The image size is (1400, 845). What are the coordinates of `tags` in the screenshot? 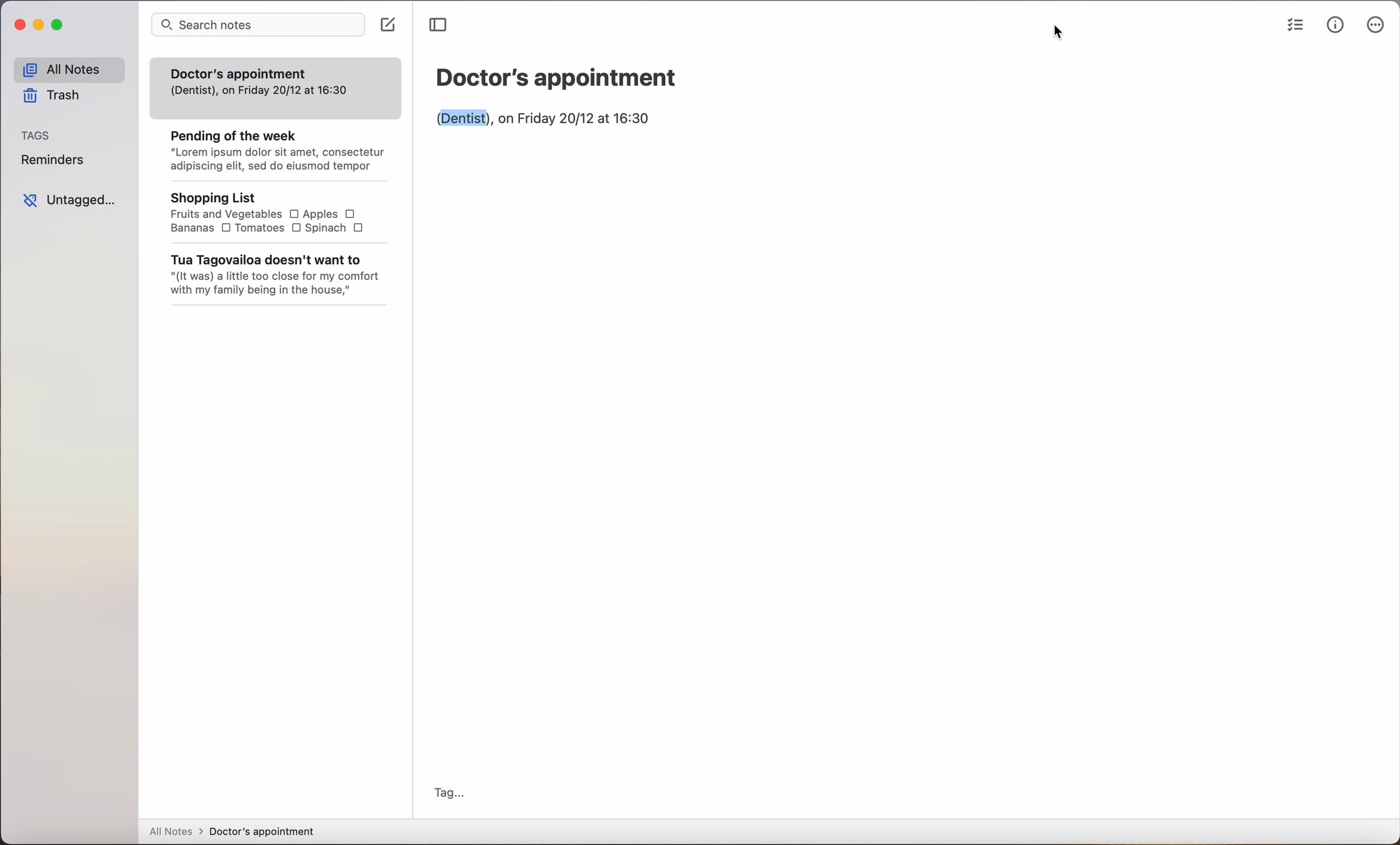 It's located at (35, 136).